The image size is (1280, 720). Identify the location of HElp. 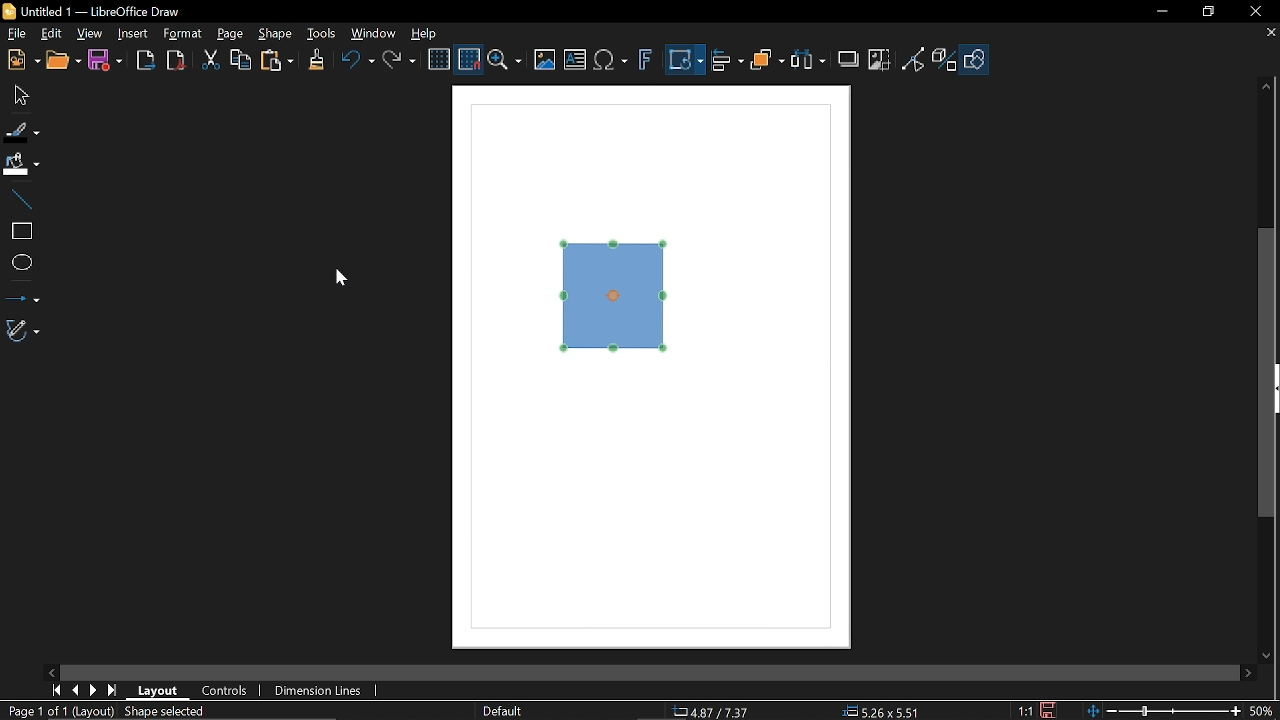
(422, 31).